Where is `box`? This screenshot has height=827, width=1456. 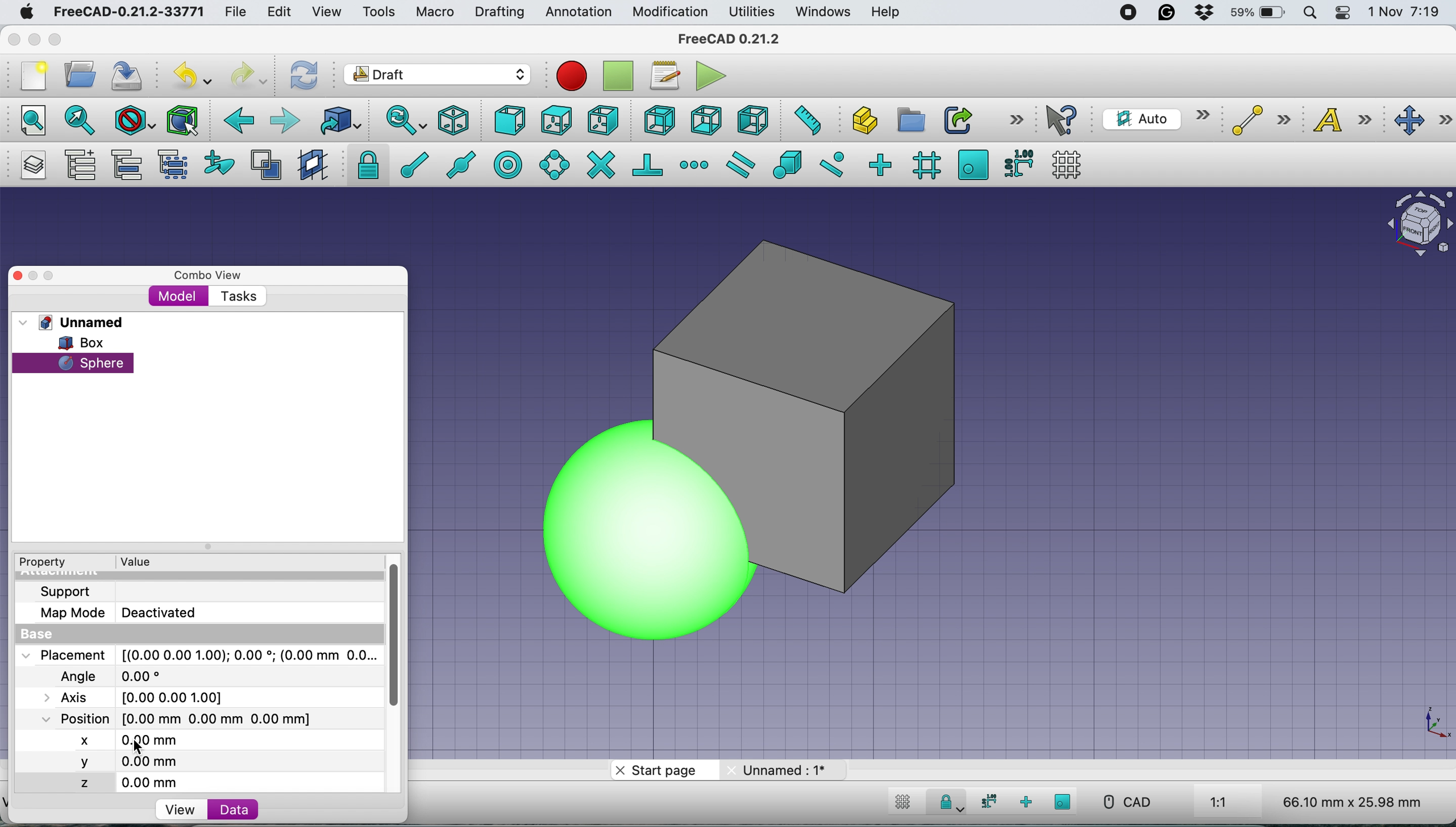 box is located at coordinates (906, 413).